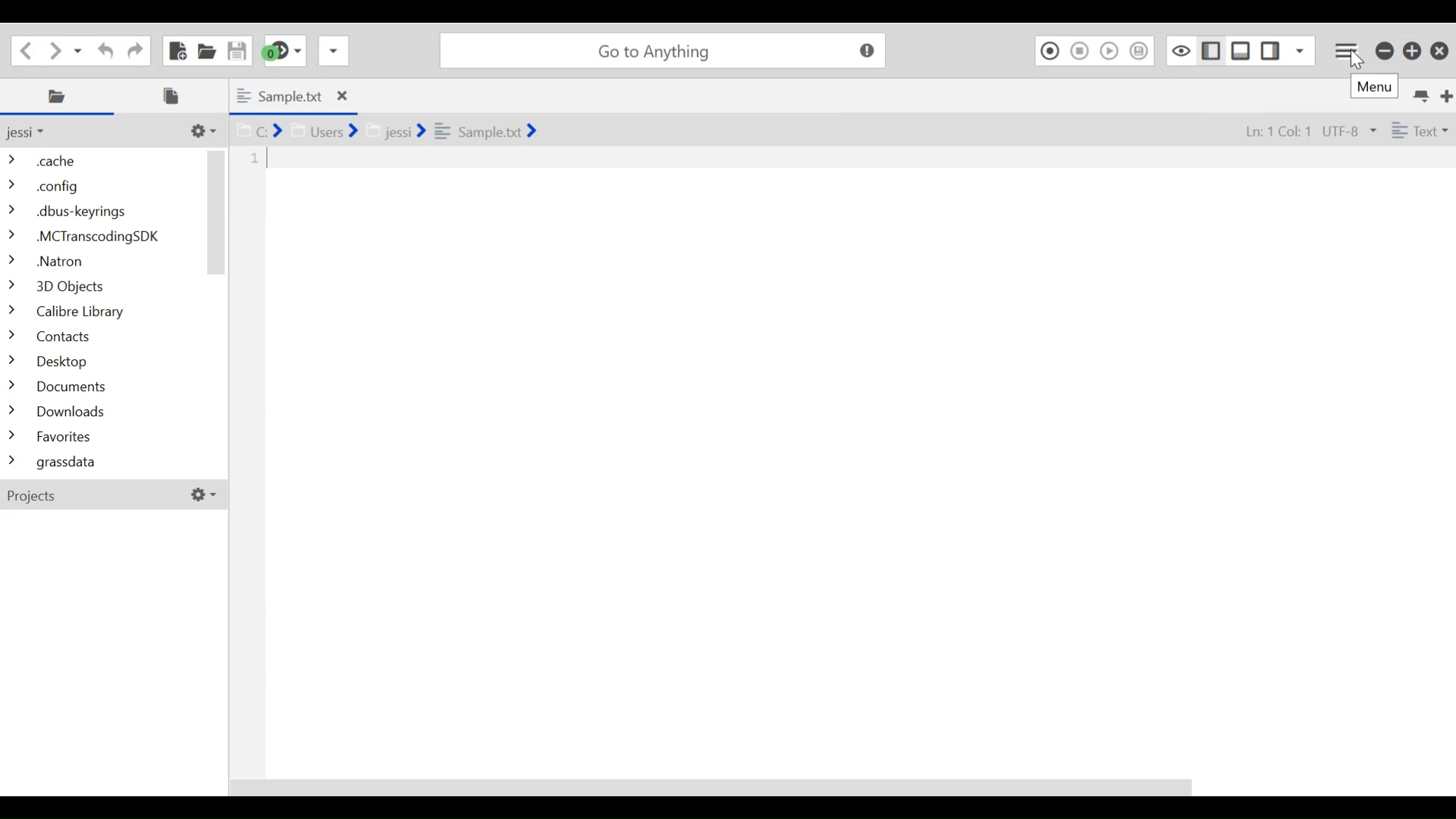  I want to click on Stop Recording Macro, so click(1081, 50).